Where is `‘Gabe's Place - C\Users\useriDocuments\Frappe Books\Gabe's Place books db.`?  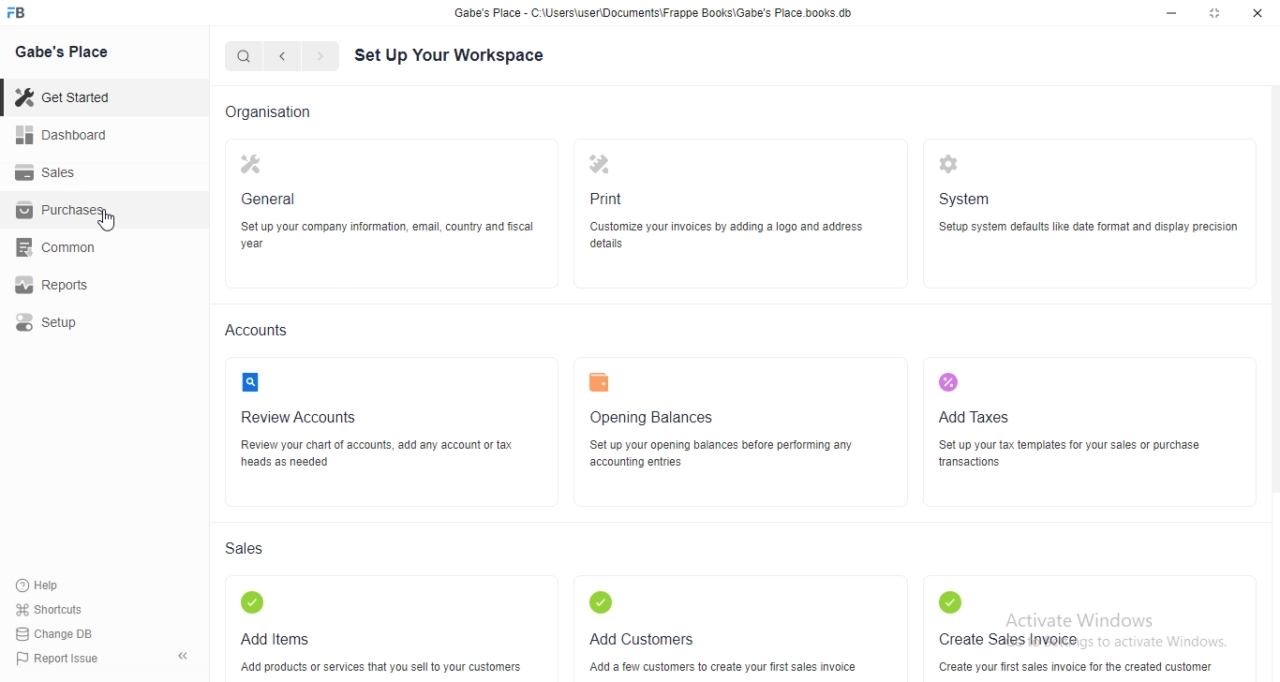
‘Gabe's Place - C\Users\useriDocuments\Frappe Books\Gabe's Place books db. is located at coordinates (653, 12).